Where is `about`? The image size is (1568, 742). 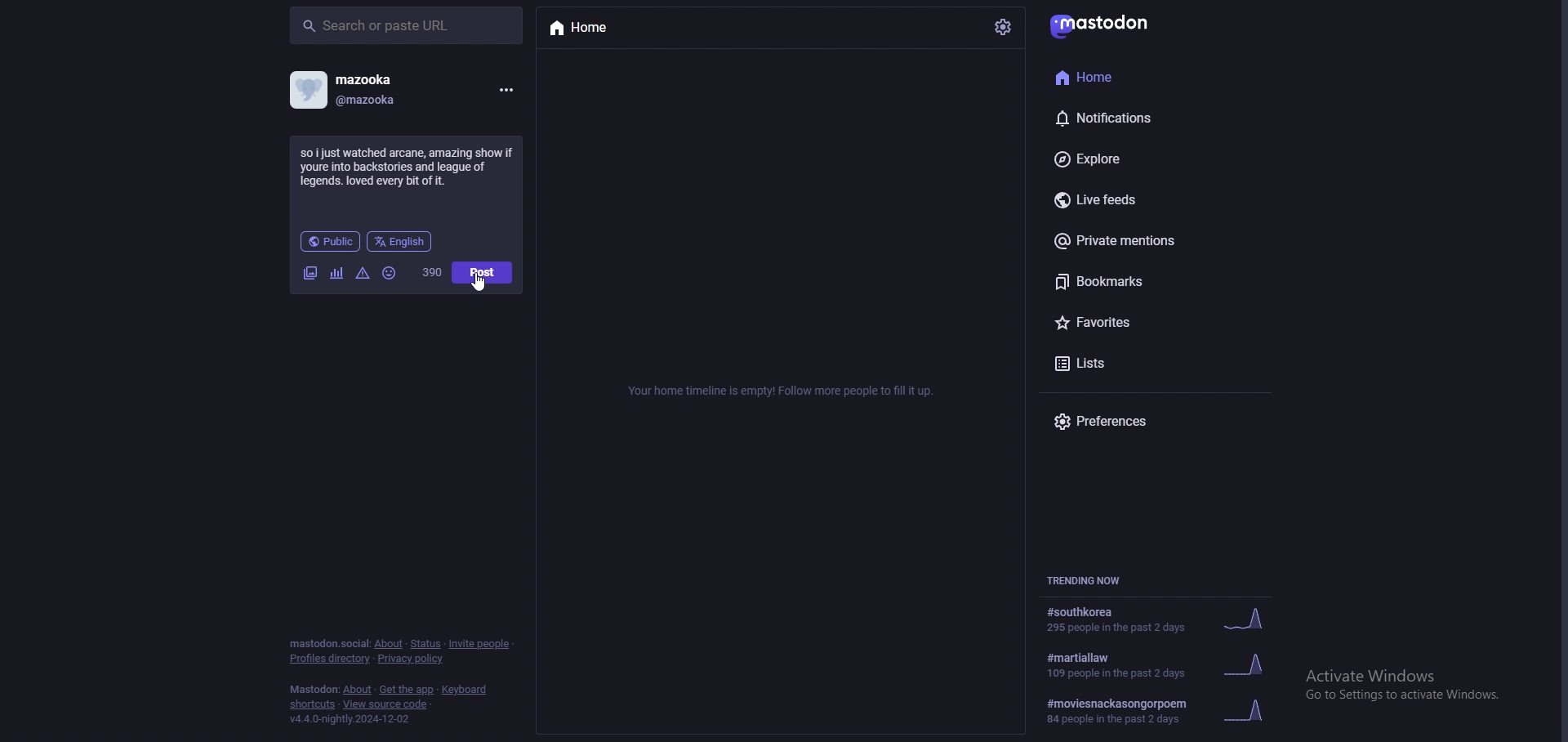
about is located at coordinates (388, 644).